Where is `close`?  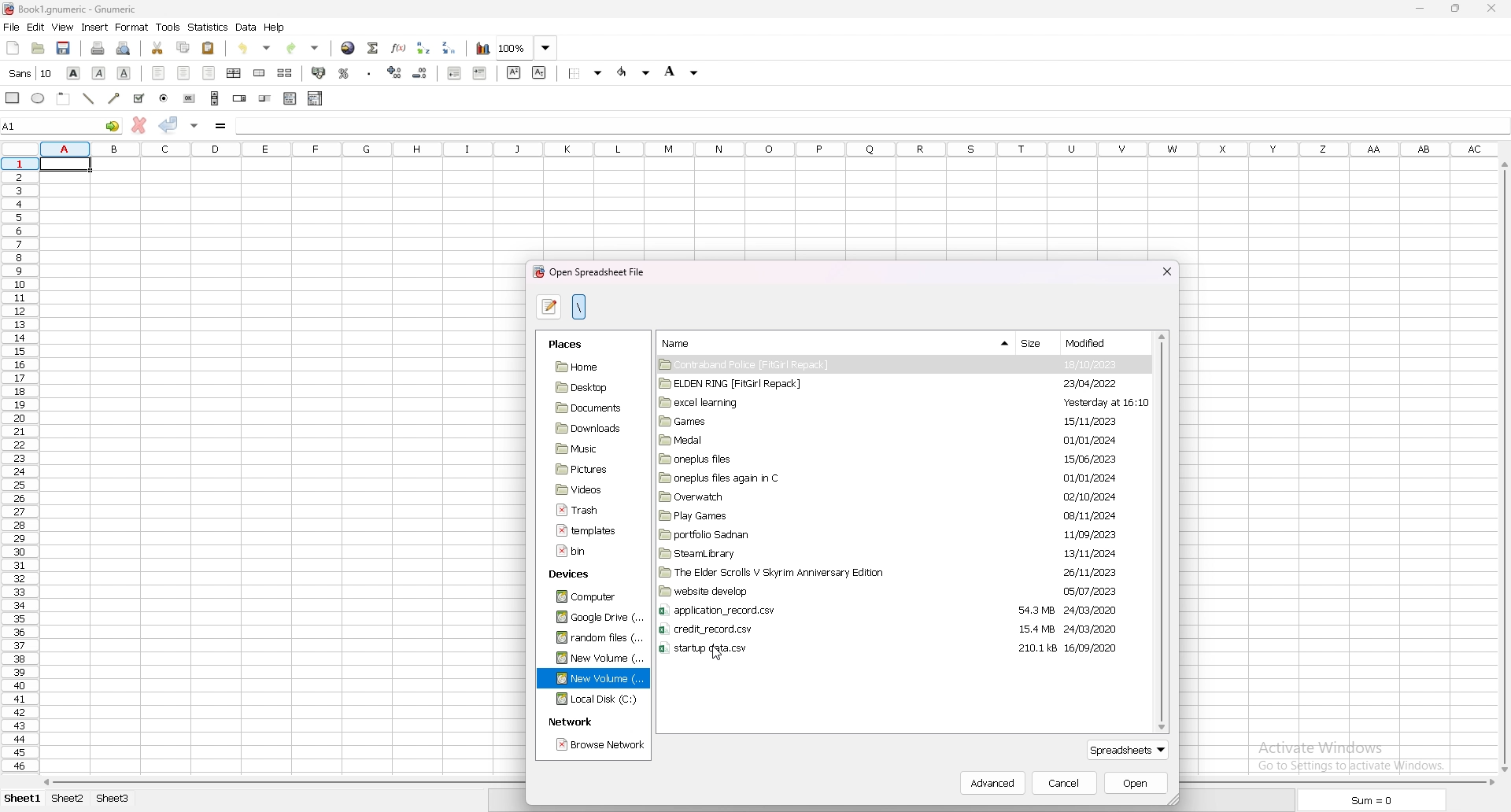
close is located at coordinates (1165, 269).